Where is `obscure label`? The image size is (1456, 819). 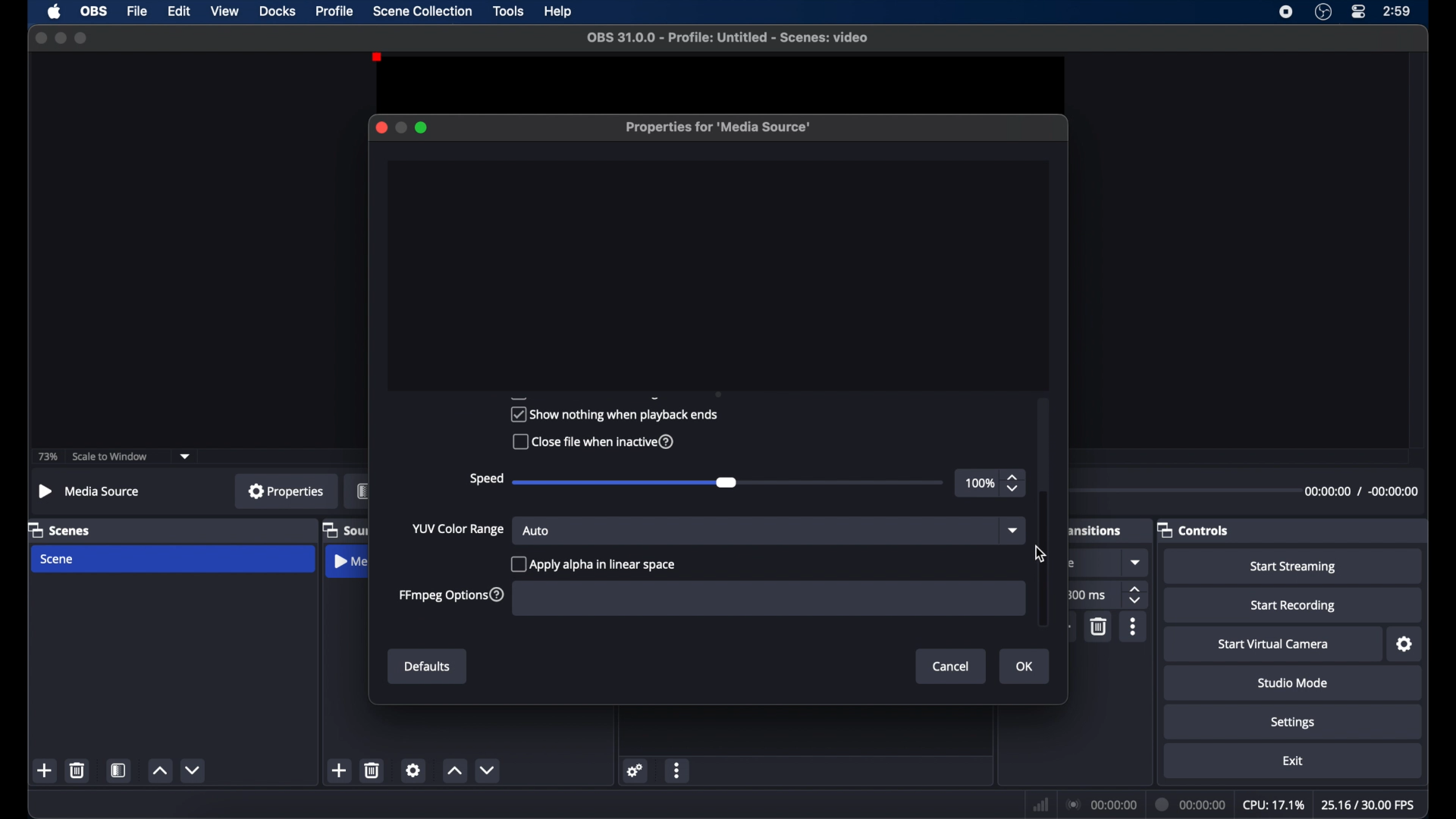 obscure label is located at coordinates (344, 529).